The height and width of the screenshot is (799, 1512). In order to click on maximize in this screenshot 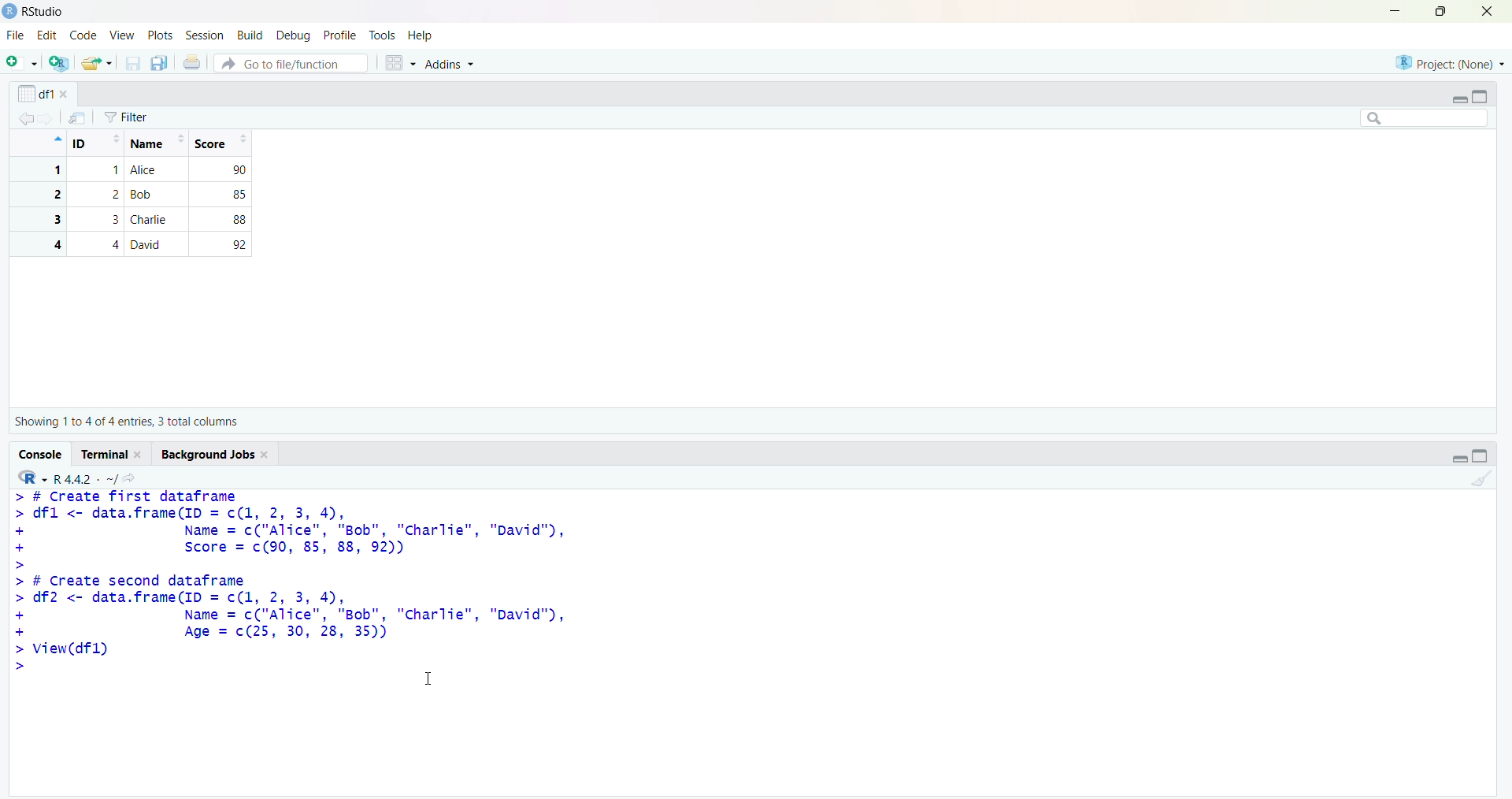, I will do `click(1443, 11)`.